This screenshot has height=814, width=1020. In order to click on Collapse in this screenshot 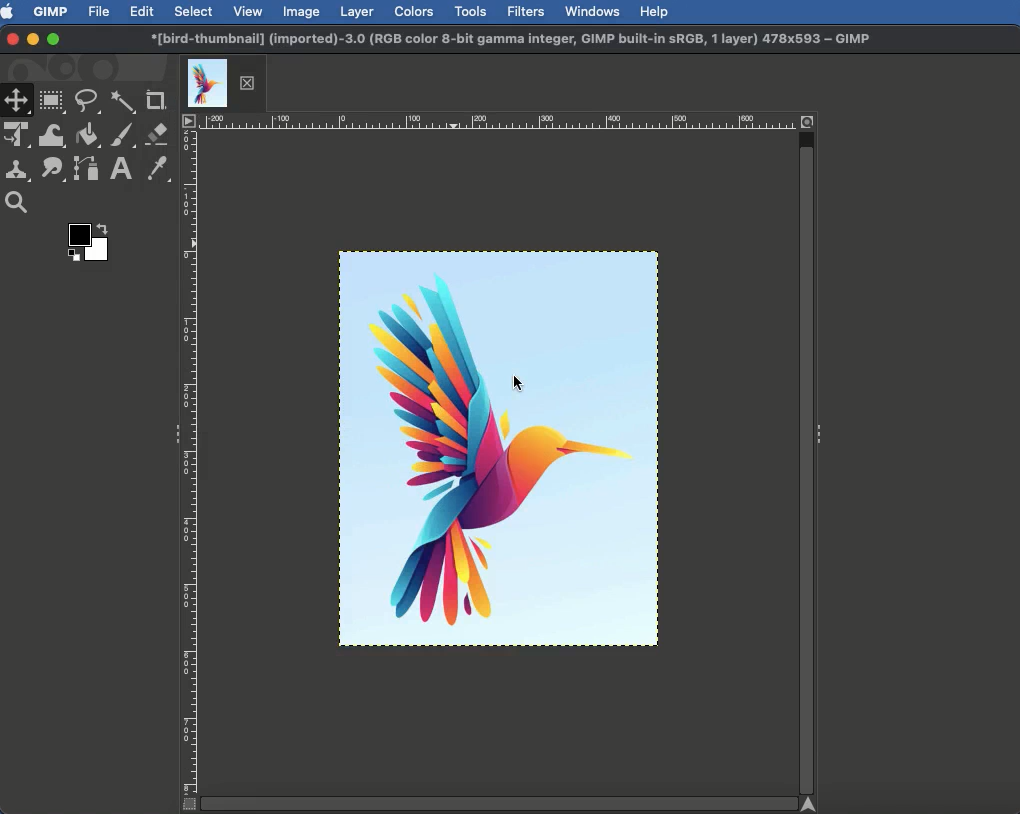, I will do `click(819, 437)`.